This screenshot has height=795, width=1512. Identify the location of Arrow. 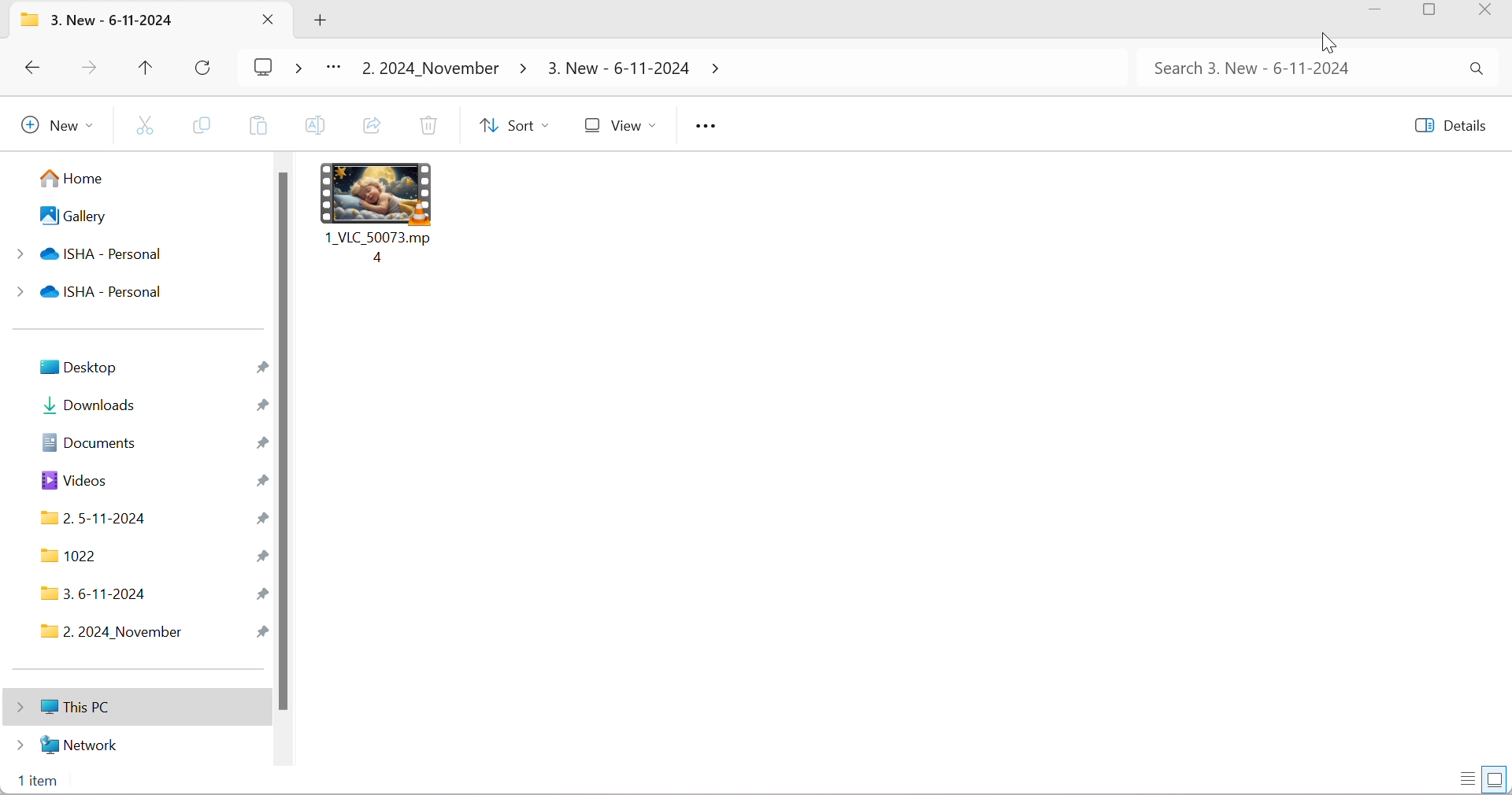
(718, 72).